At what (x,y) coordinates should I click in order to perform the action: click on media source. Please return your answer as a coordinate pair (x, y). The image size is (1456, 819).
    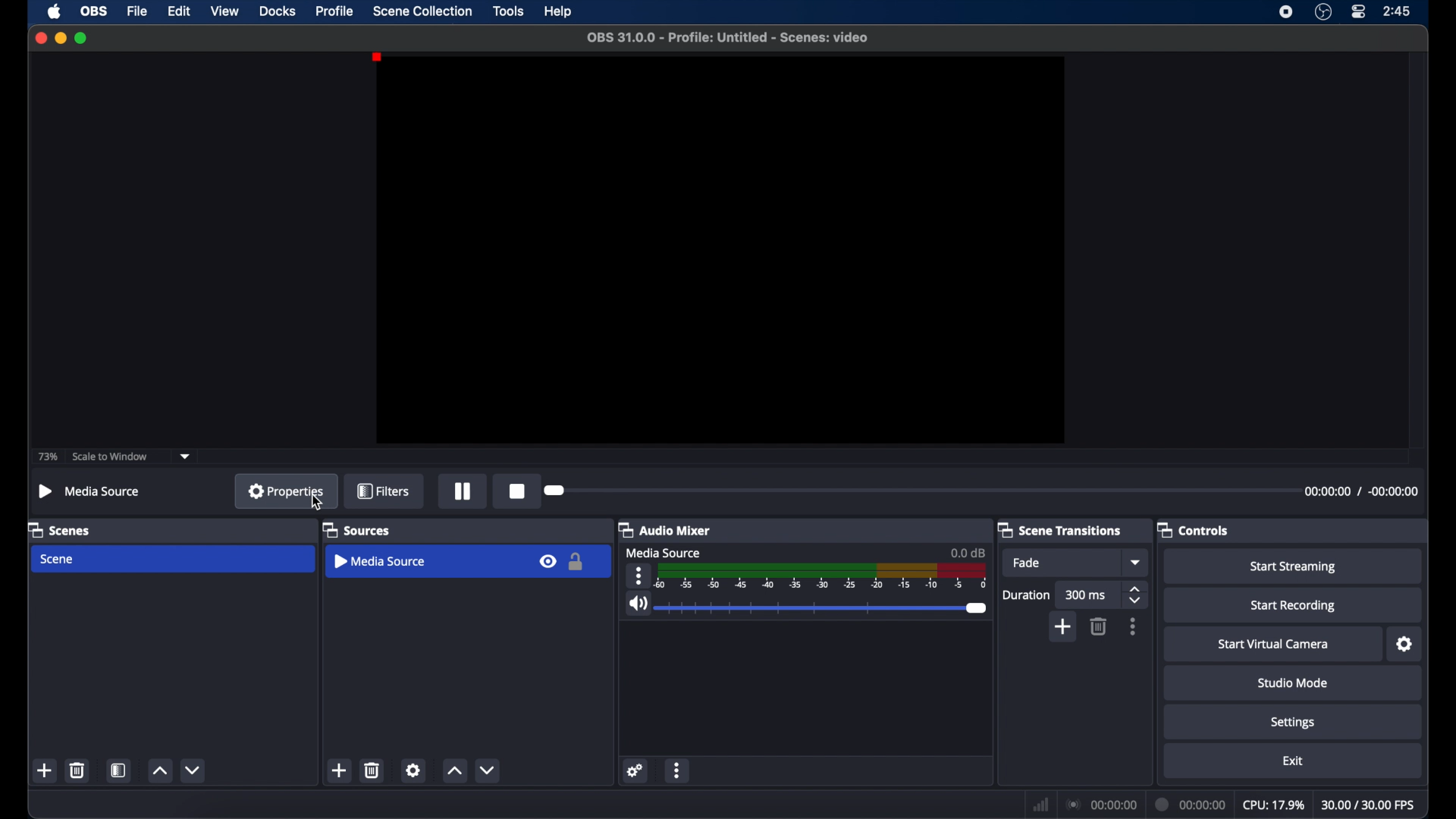
    Looking at the image, I should click on (381, 561).